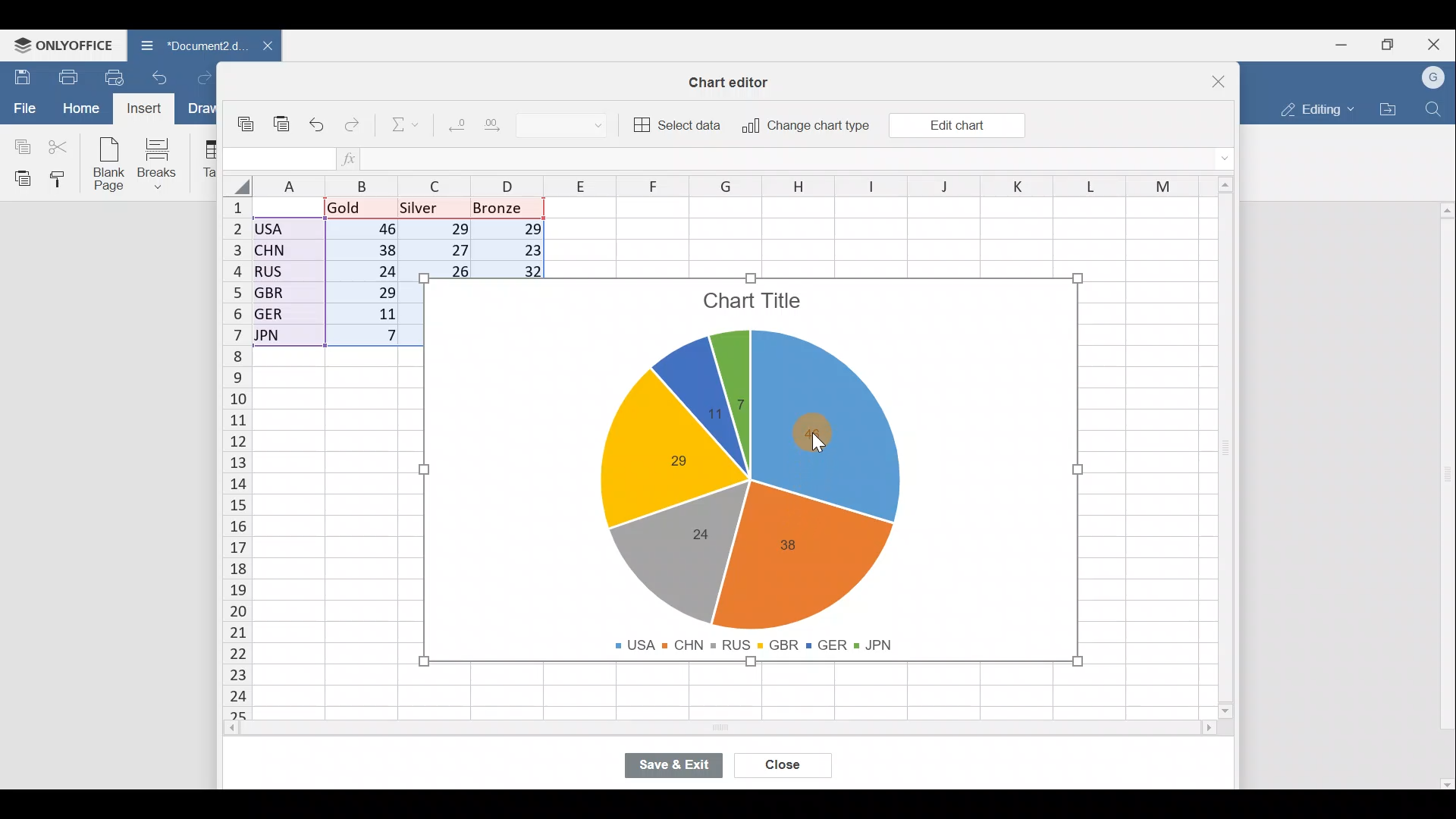  I want to click on Chart label, so click(793, 545).